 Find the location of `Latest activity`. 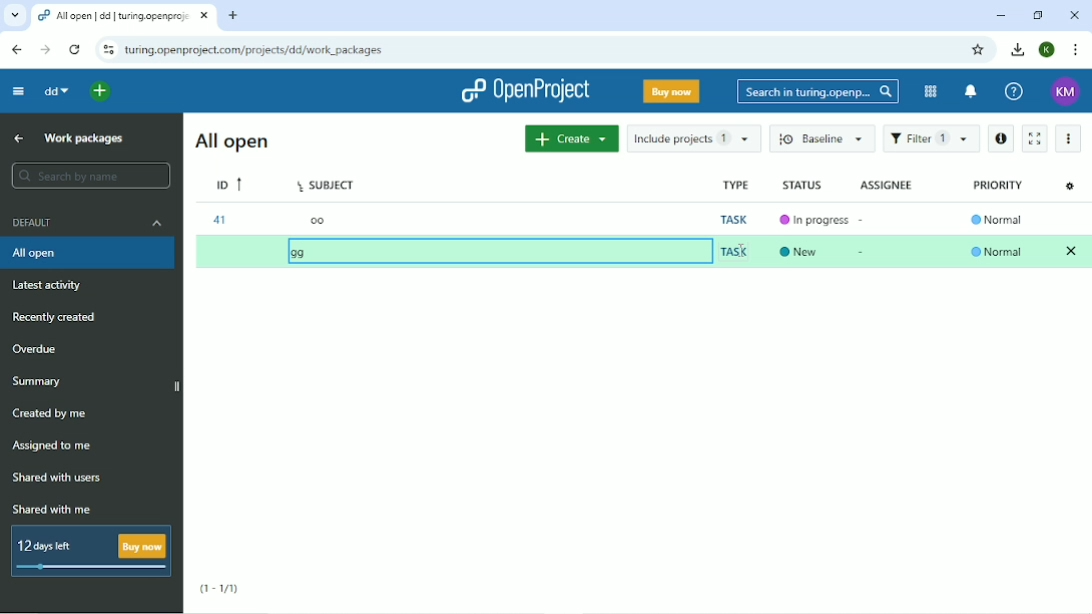

Latest activity is located at coordinates (53, 286).